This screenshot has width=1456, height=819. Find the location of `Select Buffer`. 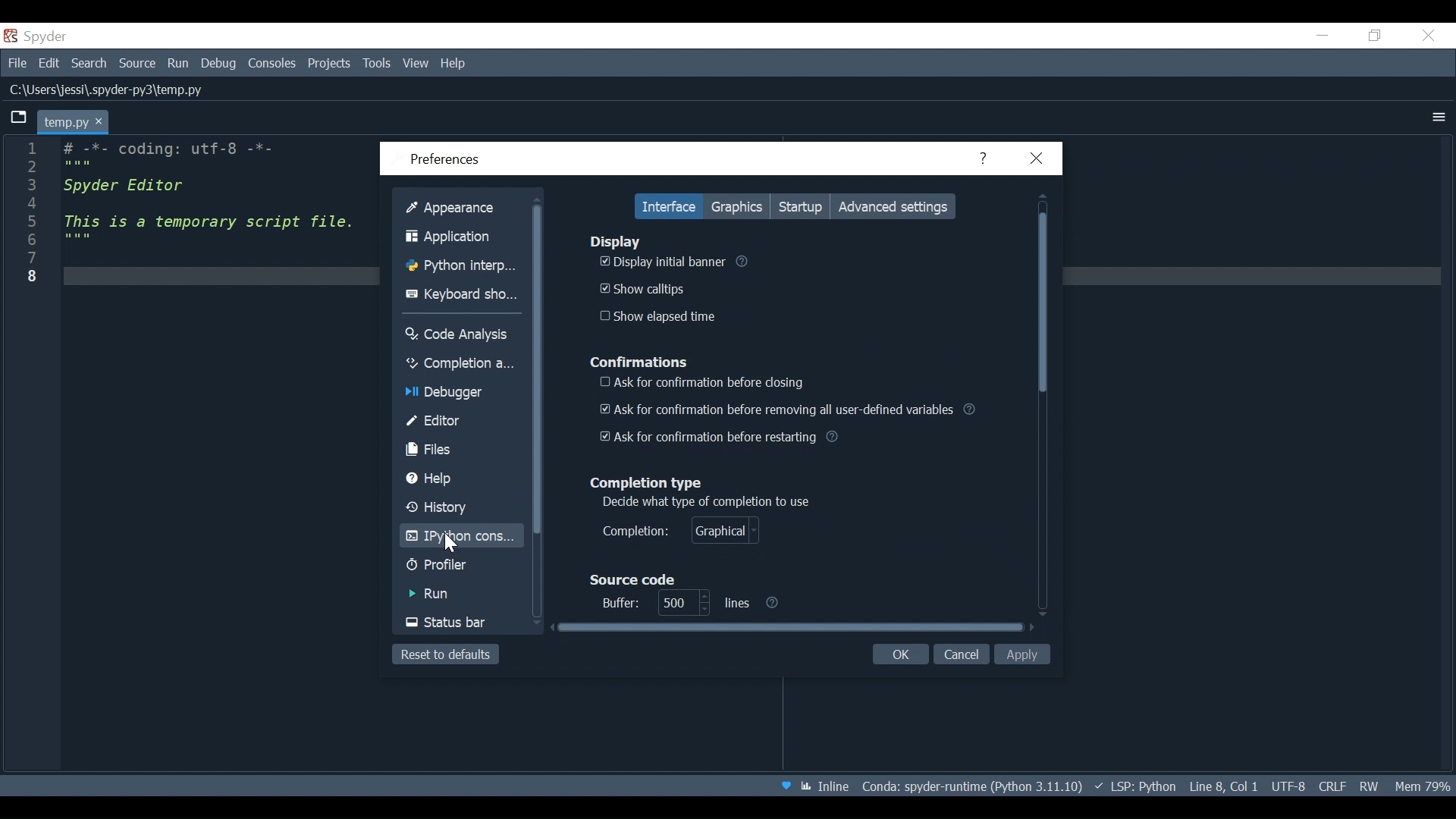

Select Buffer is located at coordinates (615, 603).